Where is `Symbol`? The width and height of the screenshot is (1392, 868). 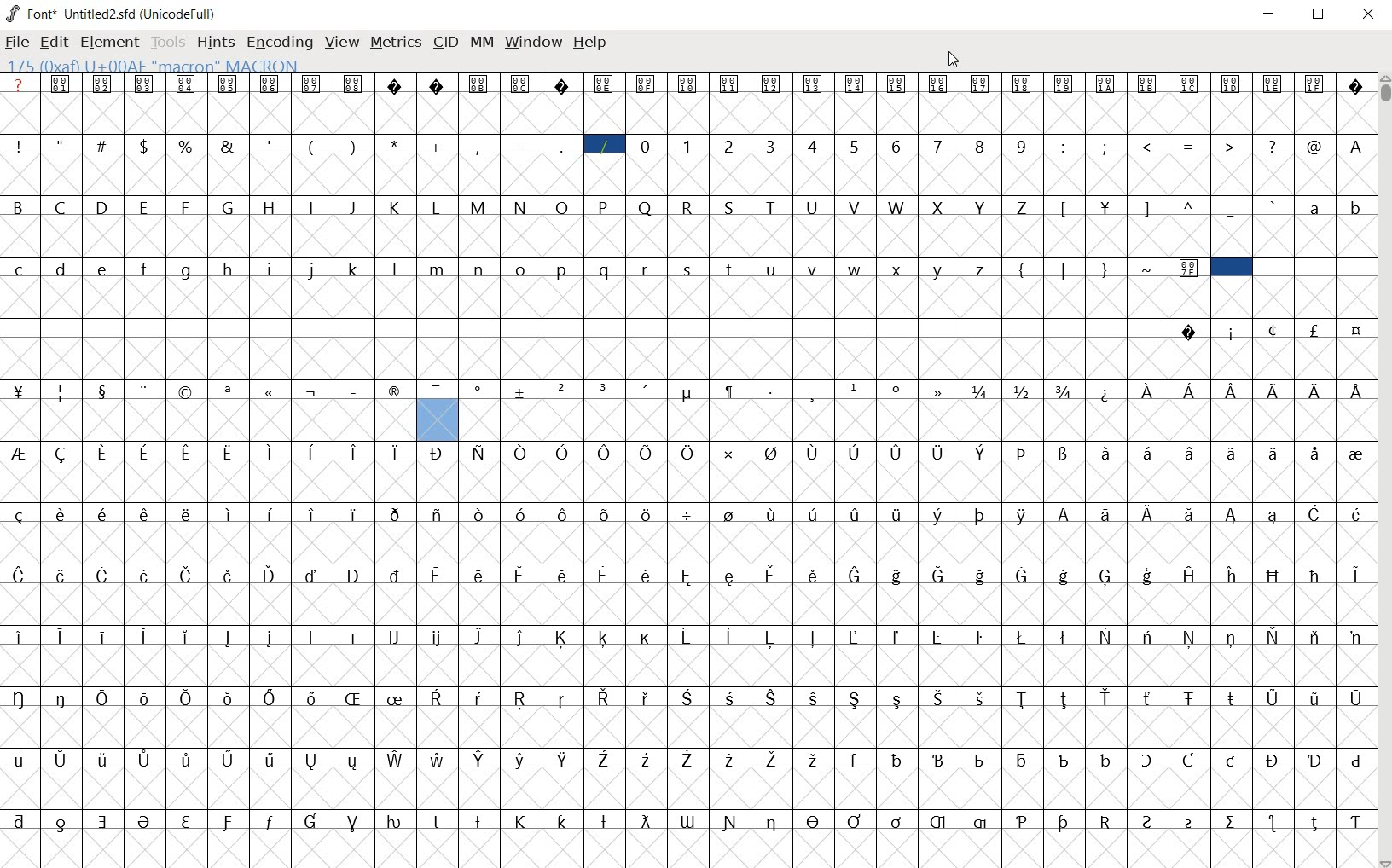
Symbol is located at coordinates (436, 85).